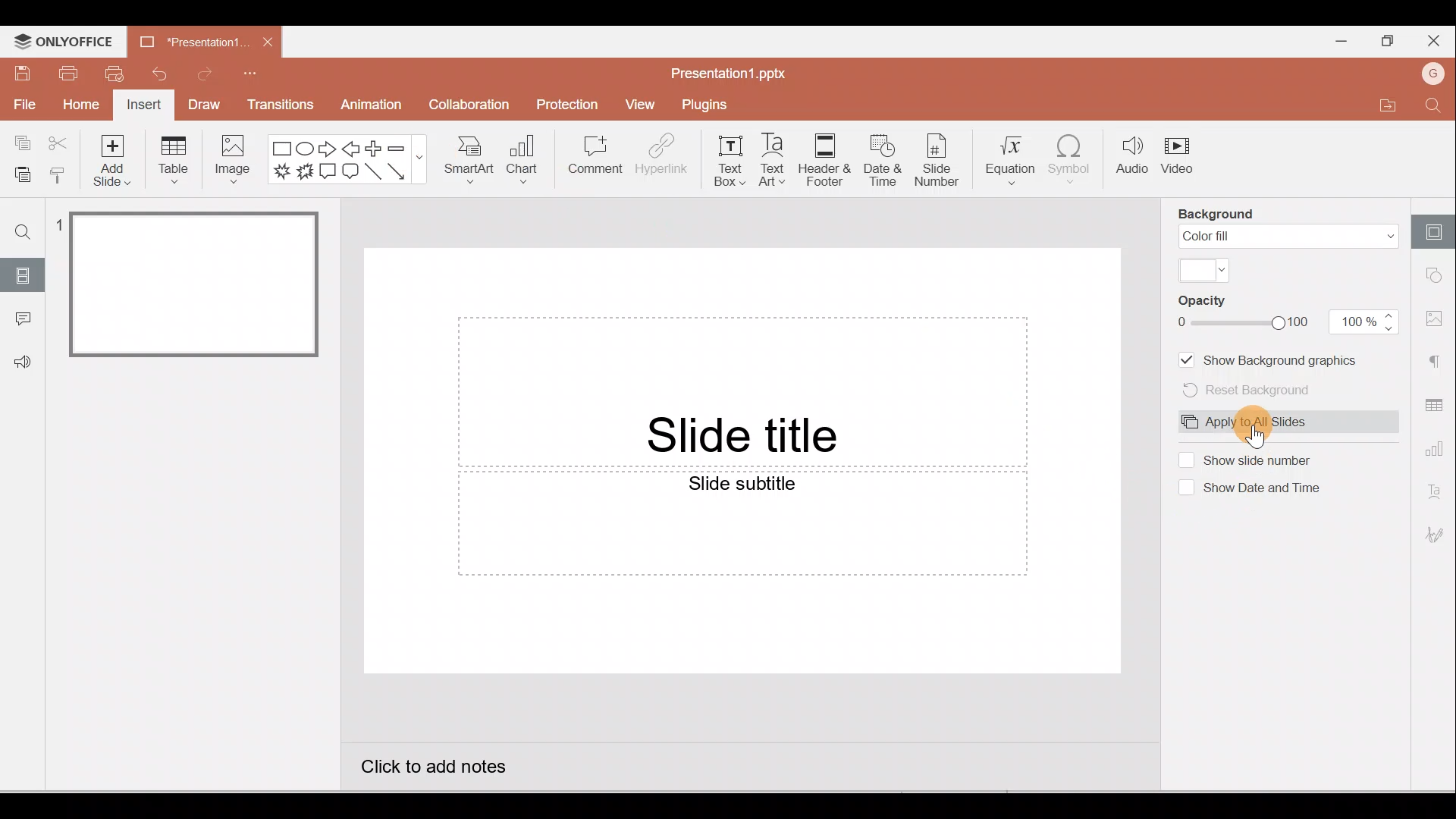 This screenshot has width=1456, height=819. I want to click on Audio, so click(1131, 159).